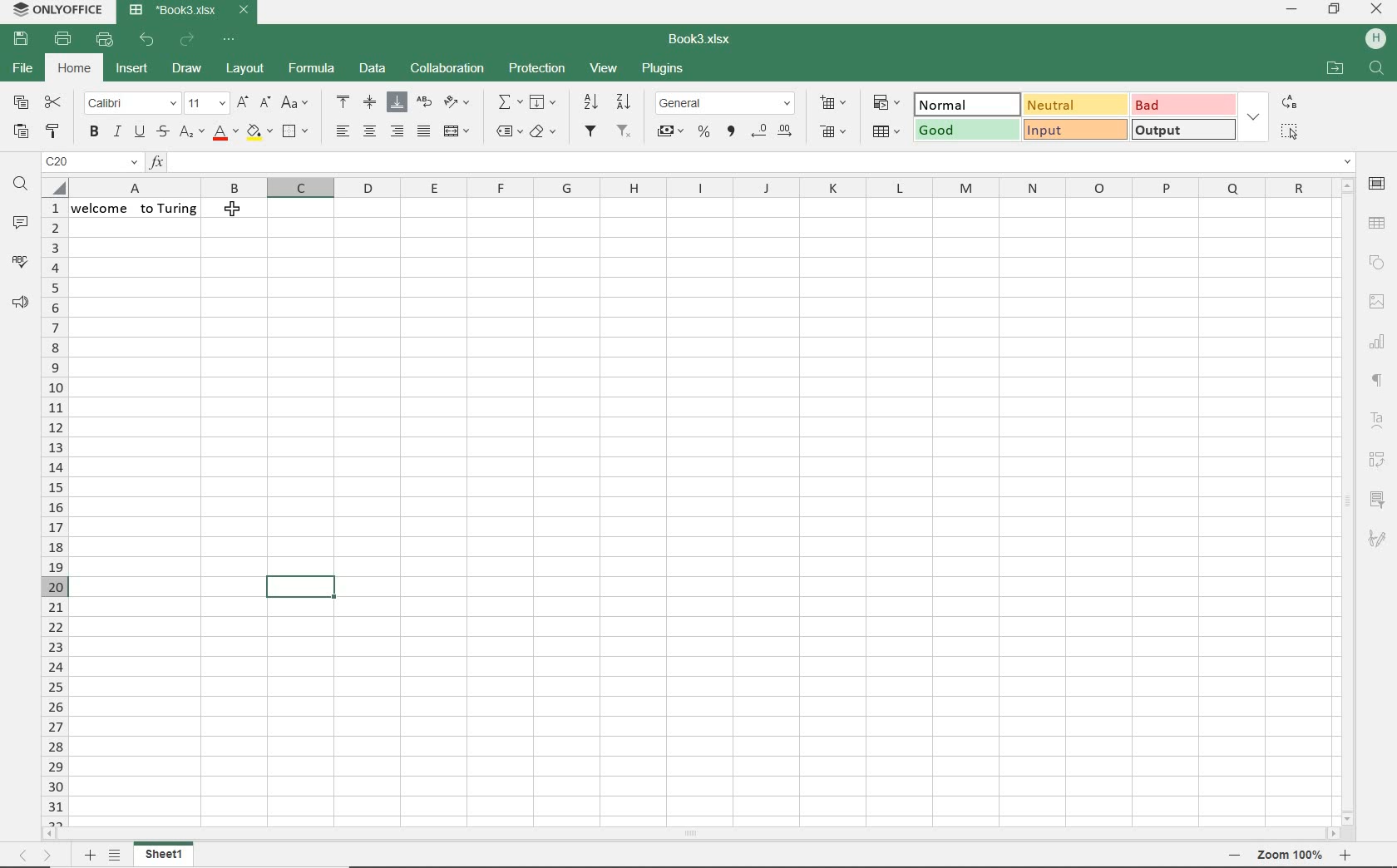 This screenshot has height=868, width=1397. Describe the element at coordinates (545, 133) in the screenshot. I see `clear` at that location.